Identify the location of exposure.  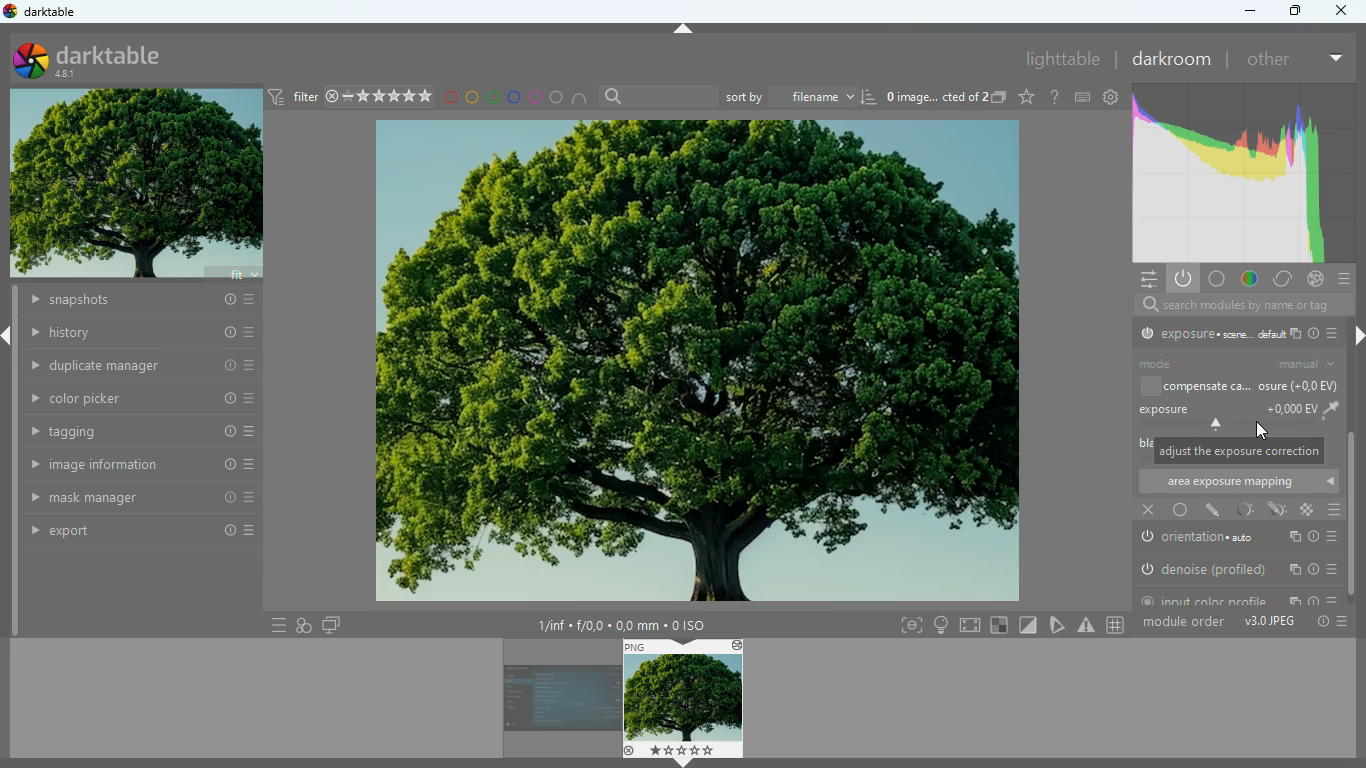
(1243, 415).